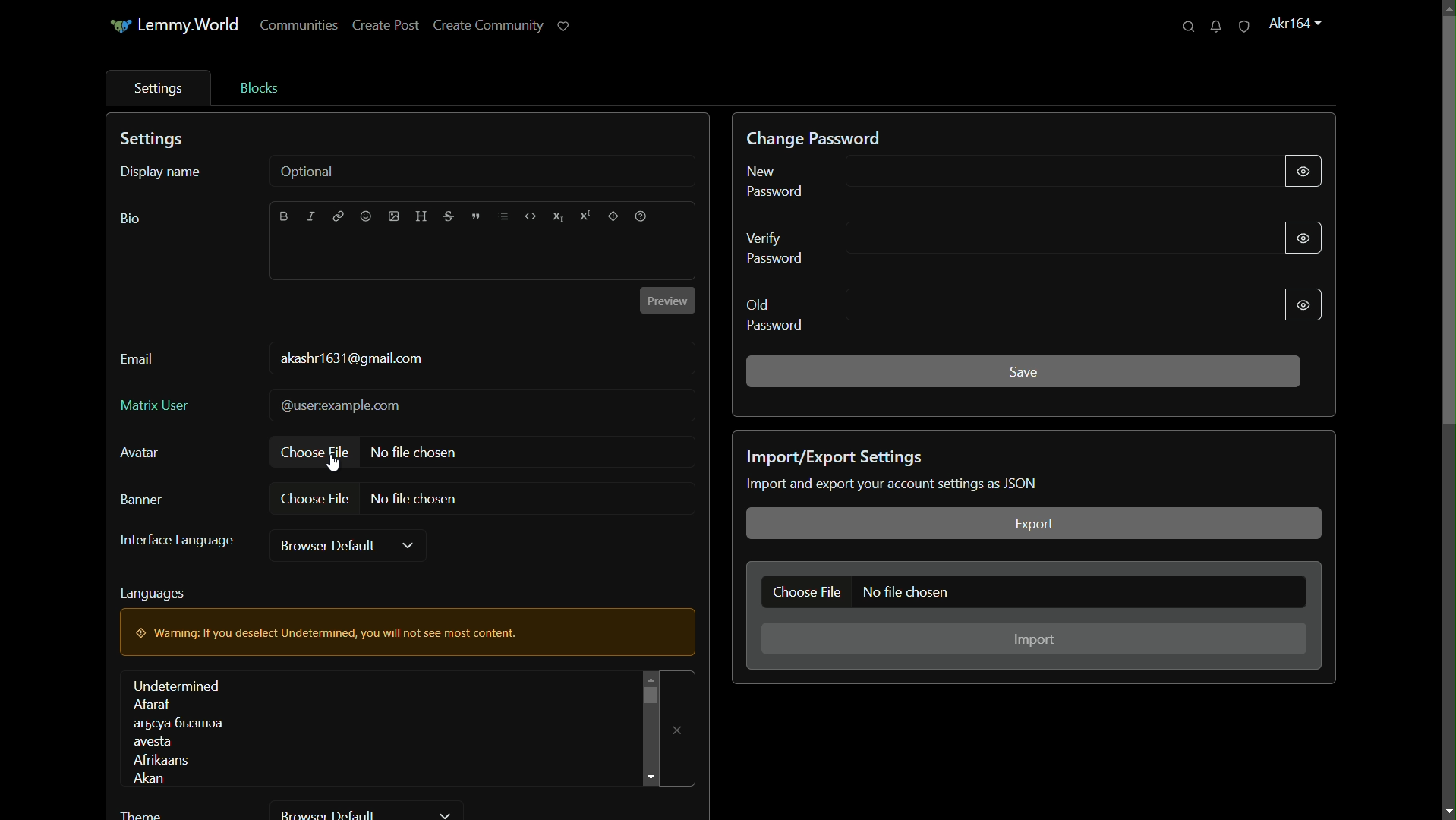 The width and height of the screenshot is (1456, 820). What do you see at coordinates (558, 217) in the screenshot?
I see `subscript` at bounding box center [558, 217].